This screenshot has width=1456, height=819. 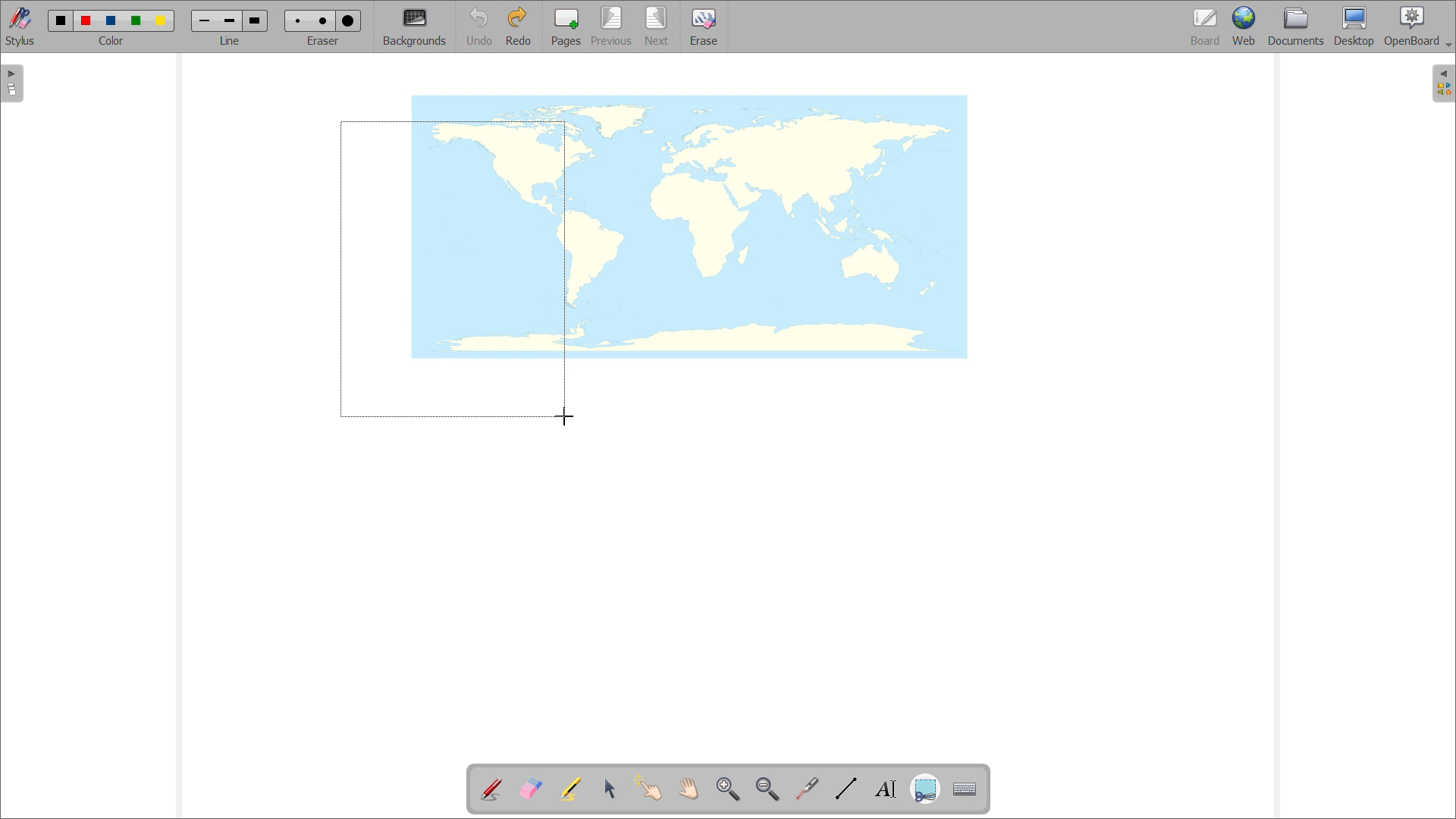 What do you see at coordinates (230, 40) in the screenshot?
I see `line` at bounding box center [230, 40].